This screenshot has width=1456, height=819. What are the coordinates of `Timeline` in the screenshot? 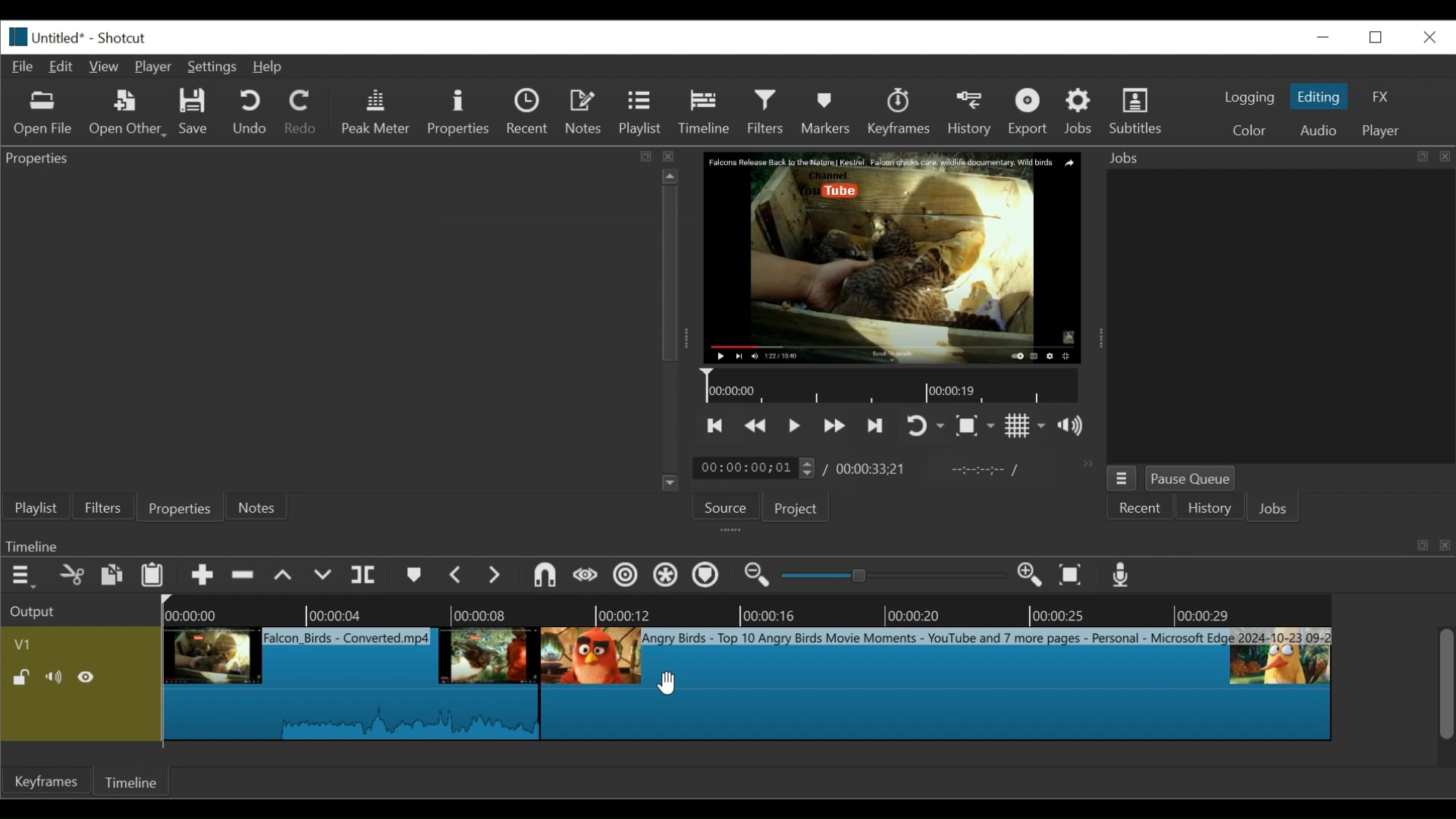 It's located at (893, 386).